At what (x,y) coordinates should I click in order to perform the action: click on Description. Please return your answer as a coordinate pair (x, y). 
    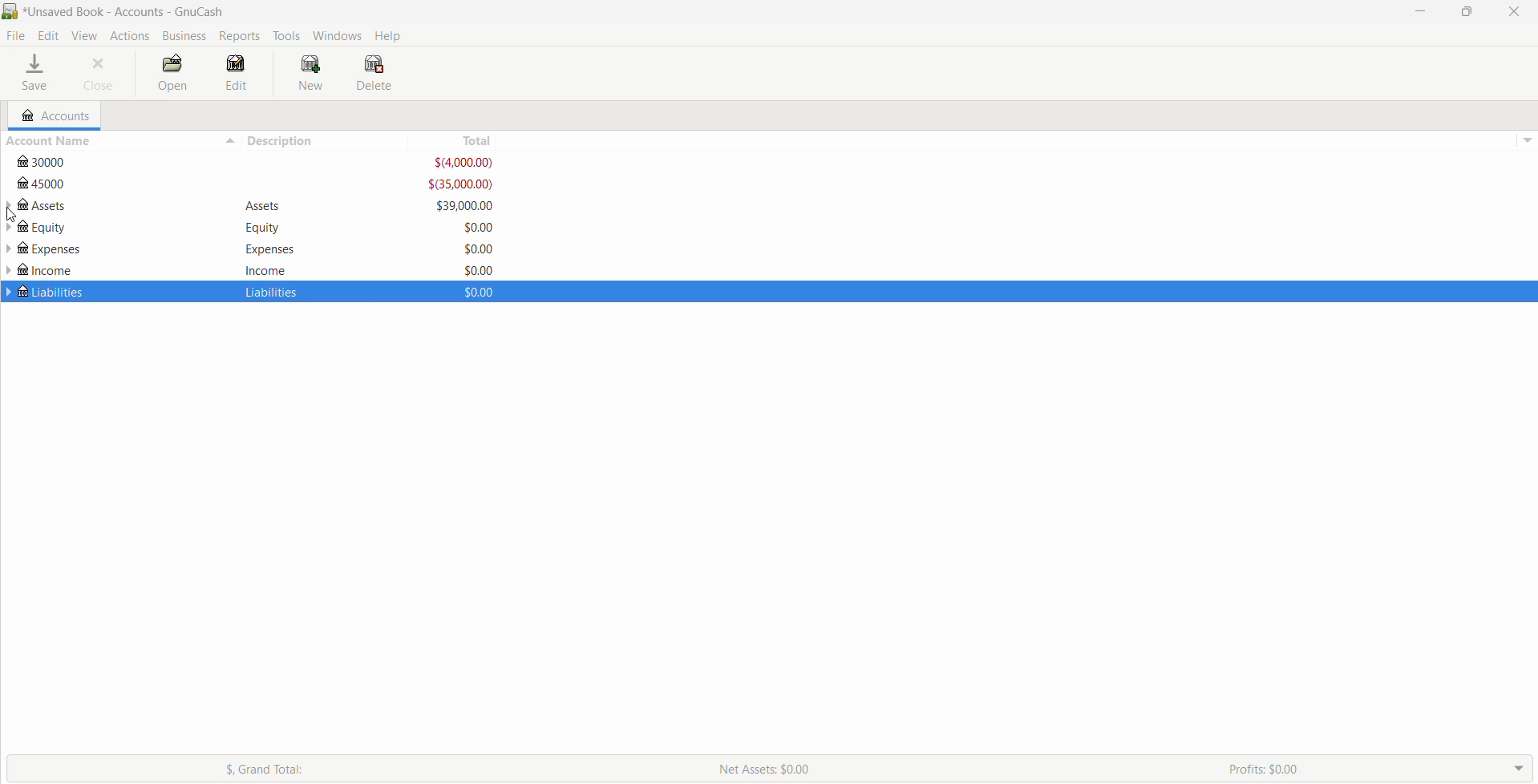
    Looking at the image, I should click on (321, 140).